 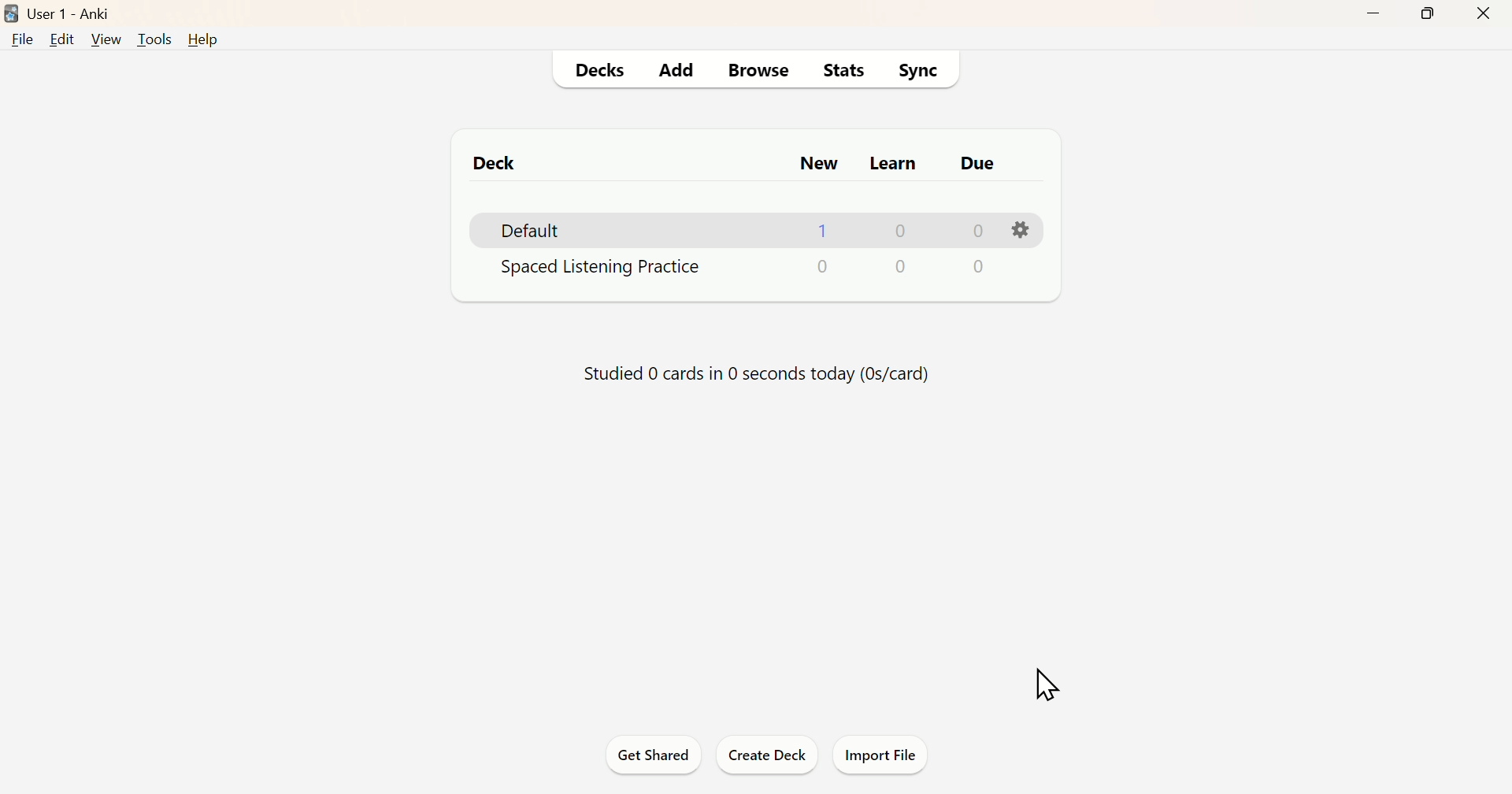 What do you see at coordinates (817, 162) in the screenshot?
I see `New` at bounding box center [817, 162].